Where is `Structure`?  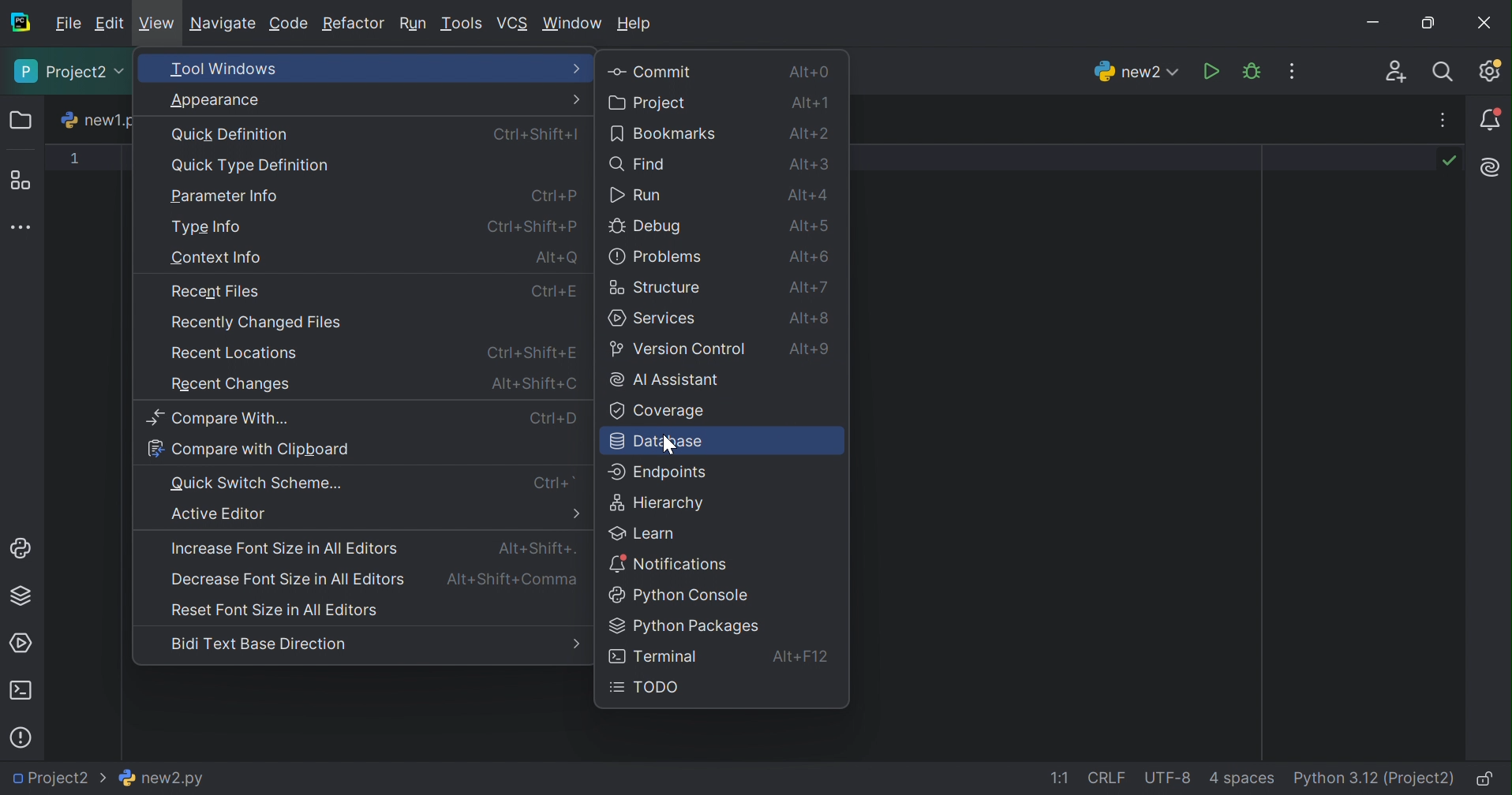 Structure is located at coordinates (653, 289).